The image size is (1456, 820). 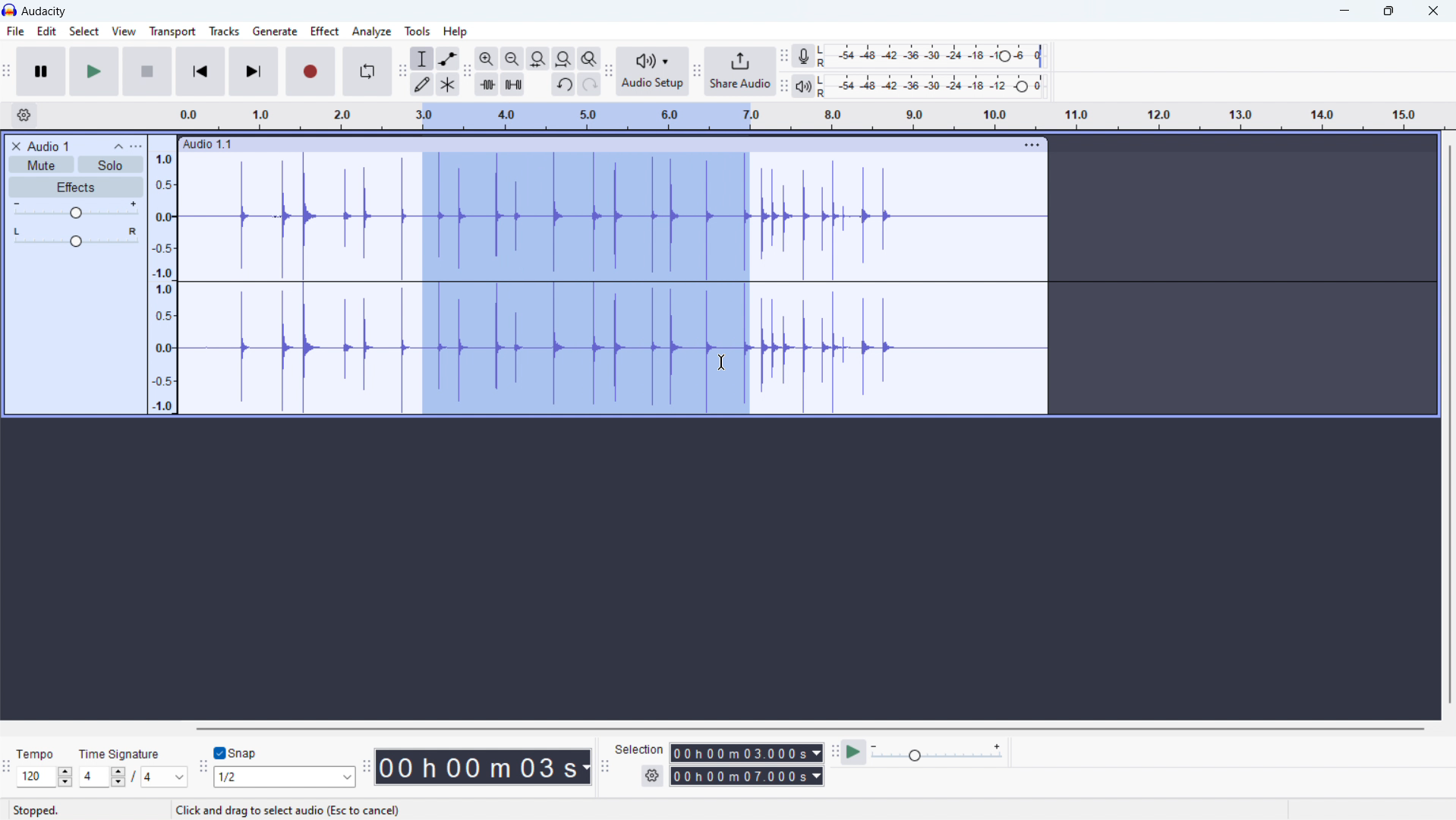 What do you see at coordinates (134, 776) in the screenshot?
I see `4/4 (top/bottom time signature)` at bounding box center [134, 776].